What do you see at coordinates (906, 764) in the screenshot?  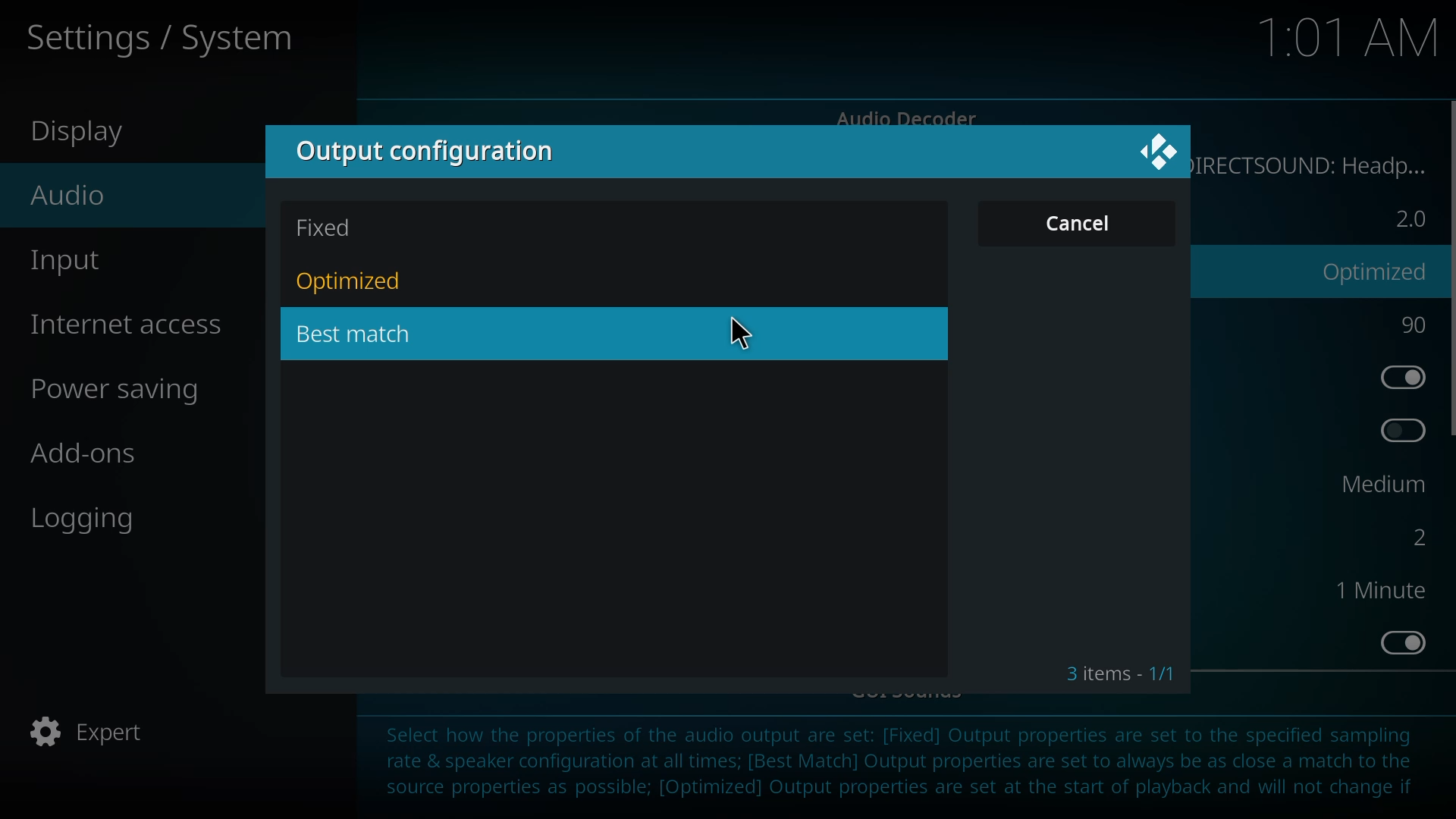 I see `info` at bounding box center [906, 764].